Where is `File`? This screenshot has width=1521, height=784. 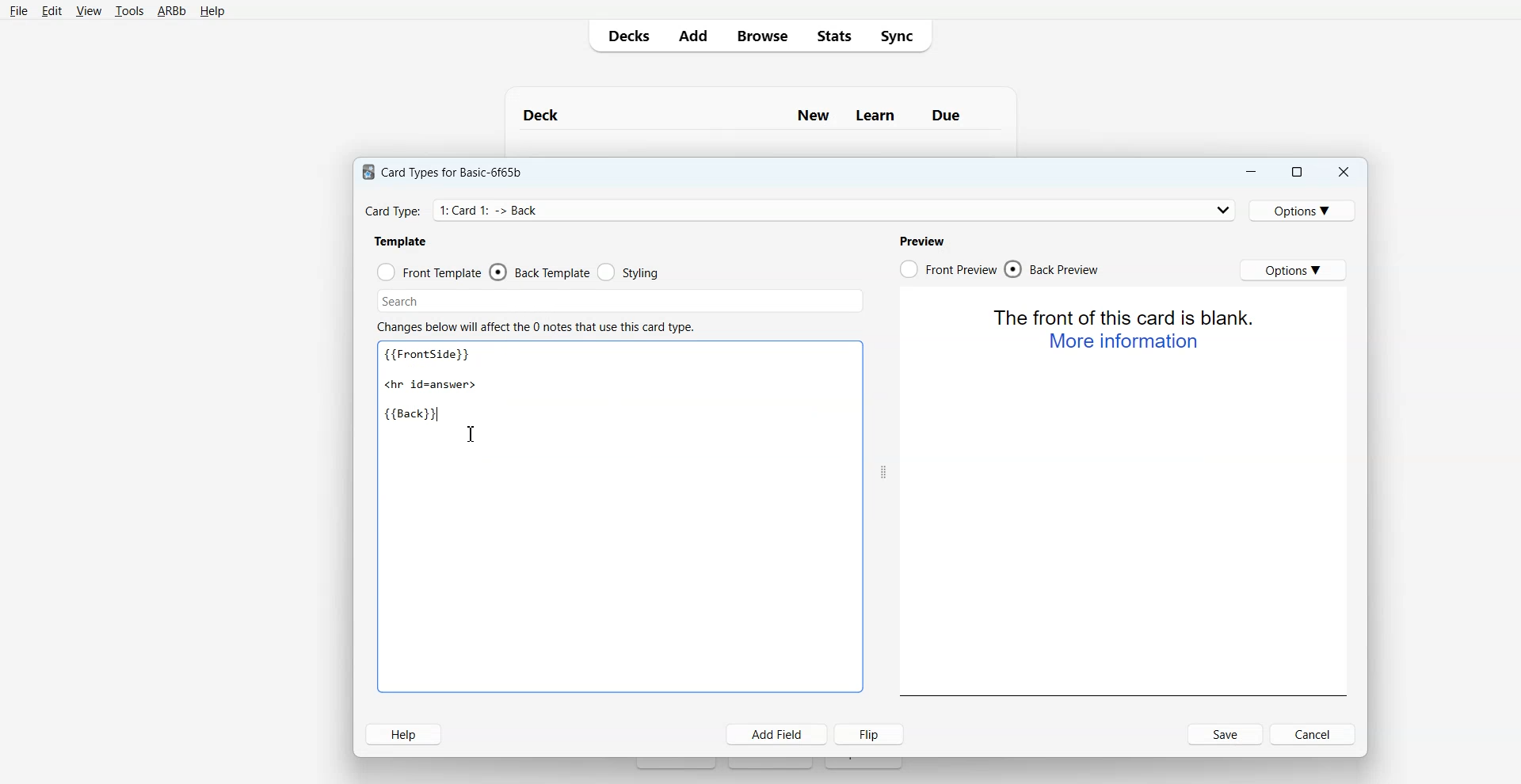
File is located at coordinates (19, 11).